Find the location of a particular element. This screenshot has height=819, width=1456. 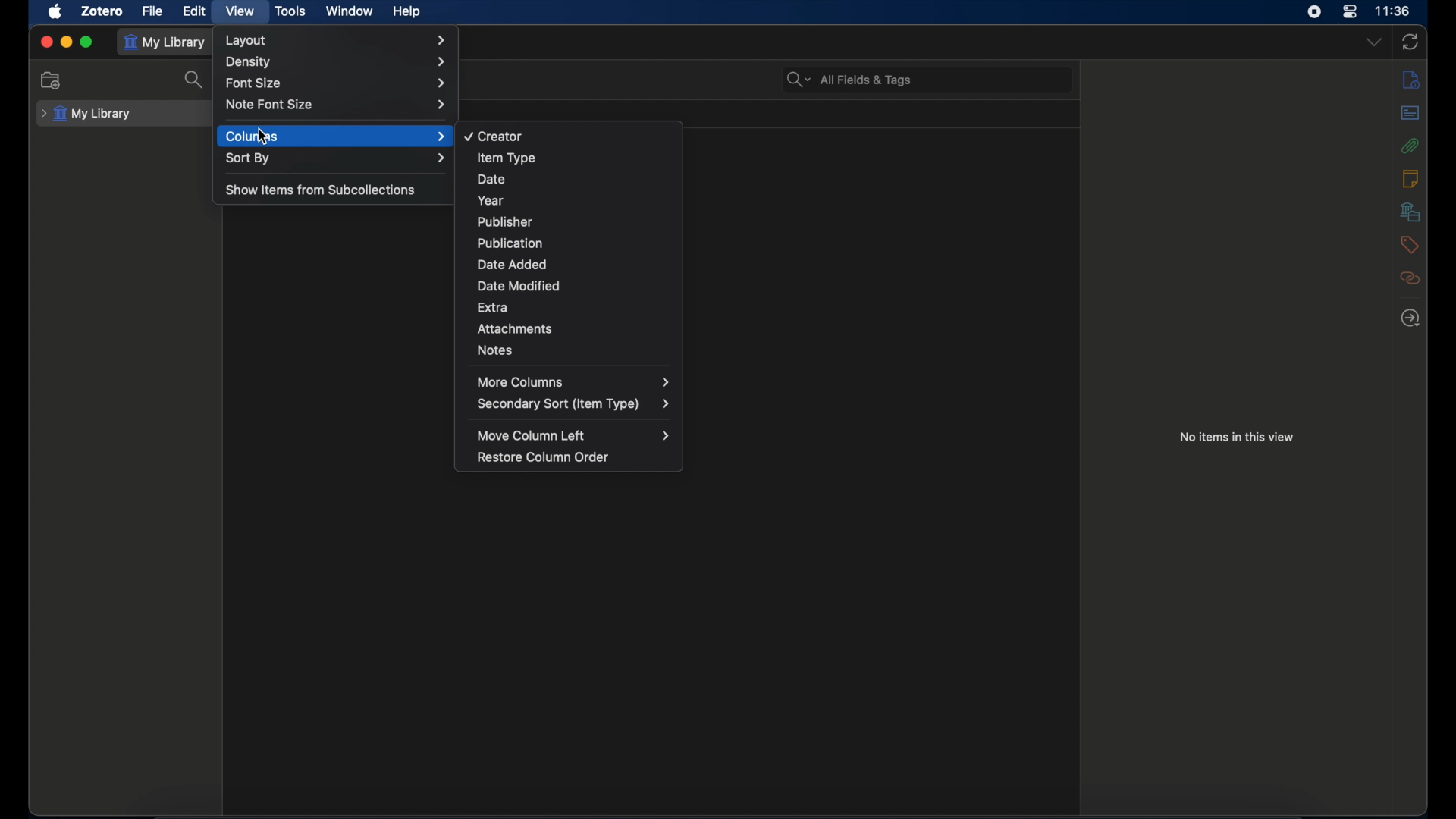

attachments is located at coordinates (1411, 146).